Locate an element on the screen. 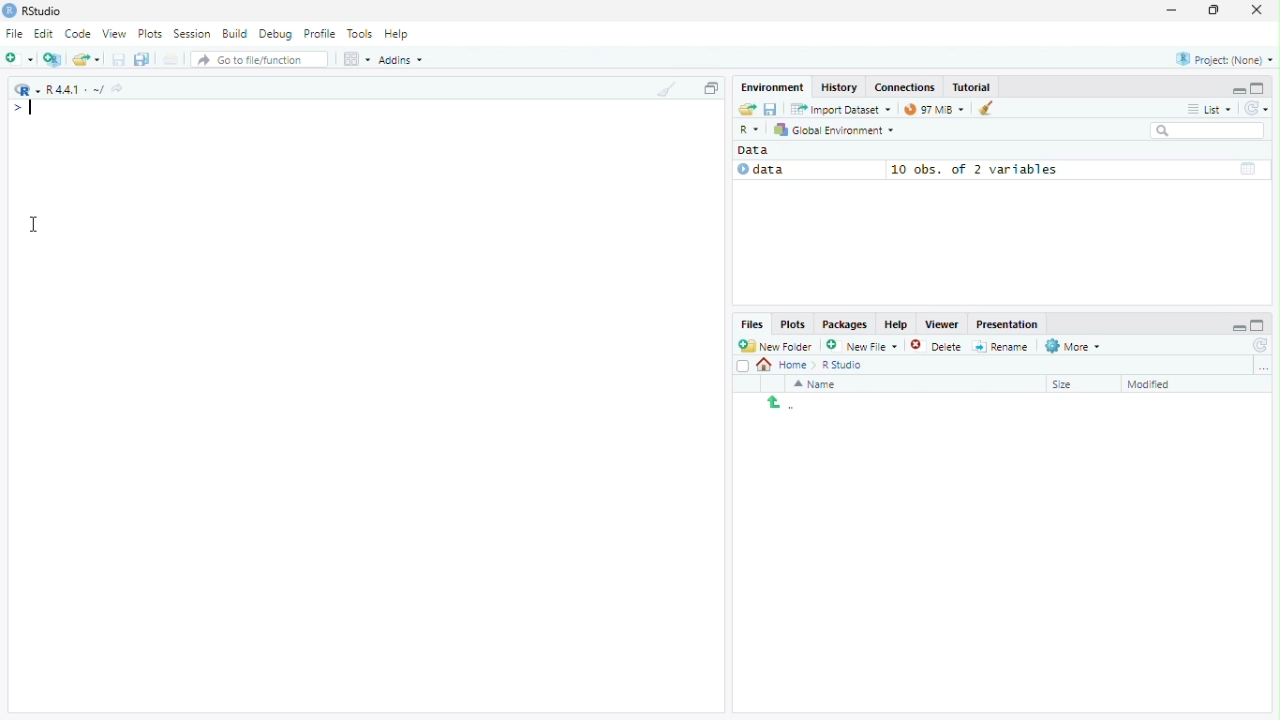 The height and width of the screenshot is (720, 1280). Search is located at coordinates (1209, 131).